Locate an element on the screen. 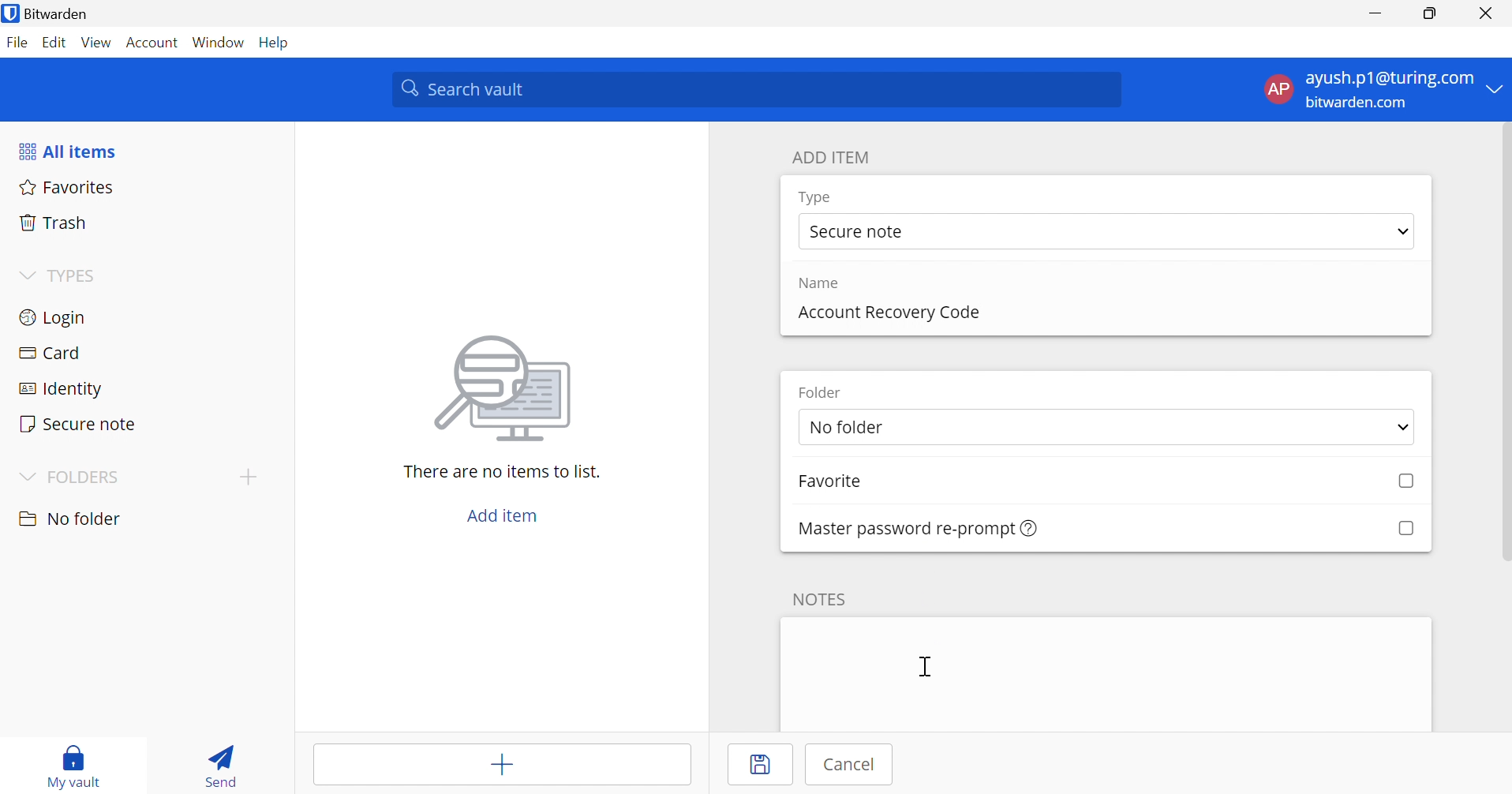  Identity is located at coordinates (59, 389).